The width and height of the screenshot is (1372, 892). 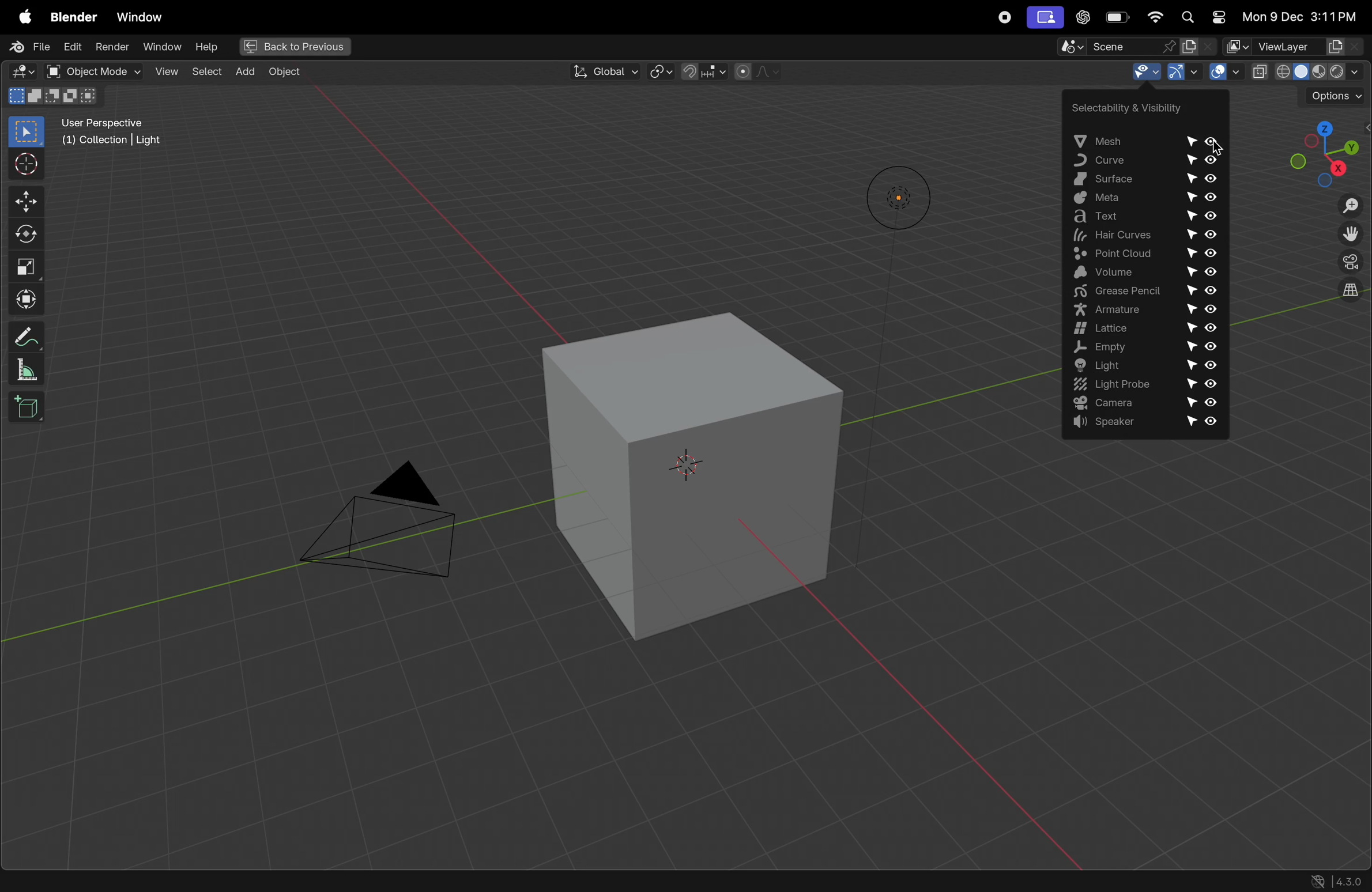 I want to click on Light, so click(x=1145, y=366).